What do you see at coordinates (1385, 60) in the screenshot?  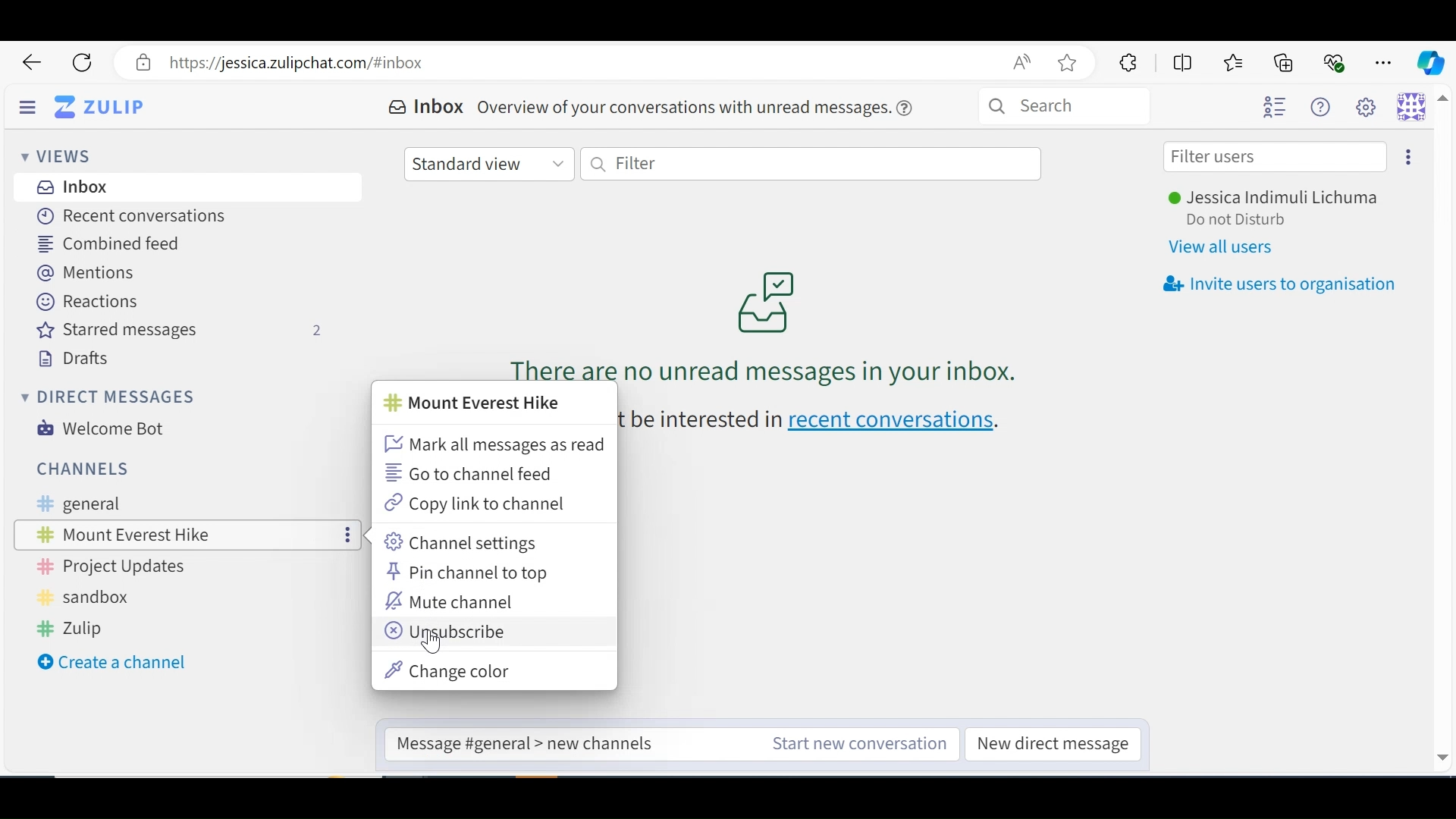 I see `Settings and more` at bounding box center [1385, 60].